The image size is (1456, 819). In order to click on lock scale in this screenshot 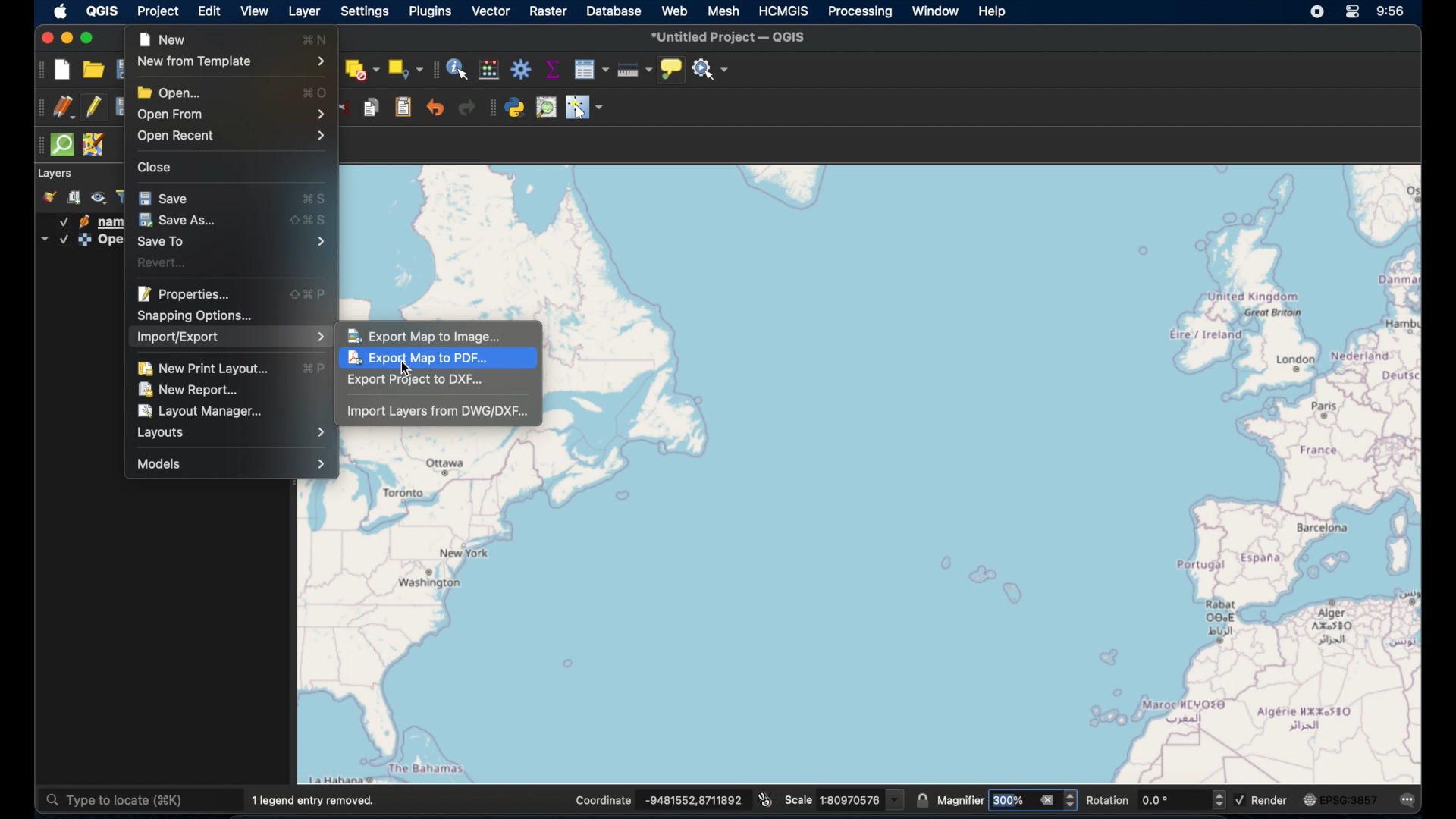, I will do `click(924, 802)`.